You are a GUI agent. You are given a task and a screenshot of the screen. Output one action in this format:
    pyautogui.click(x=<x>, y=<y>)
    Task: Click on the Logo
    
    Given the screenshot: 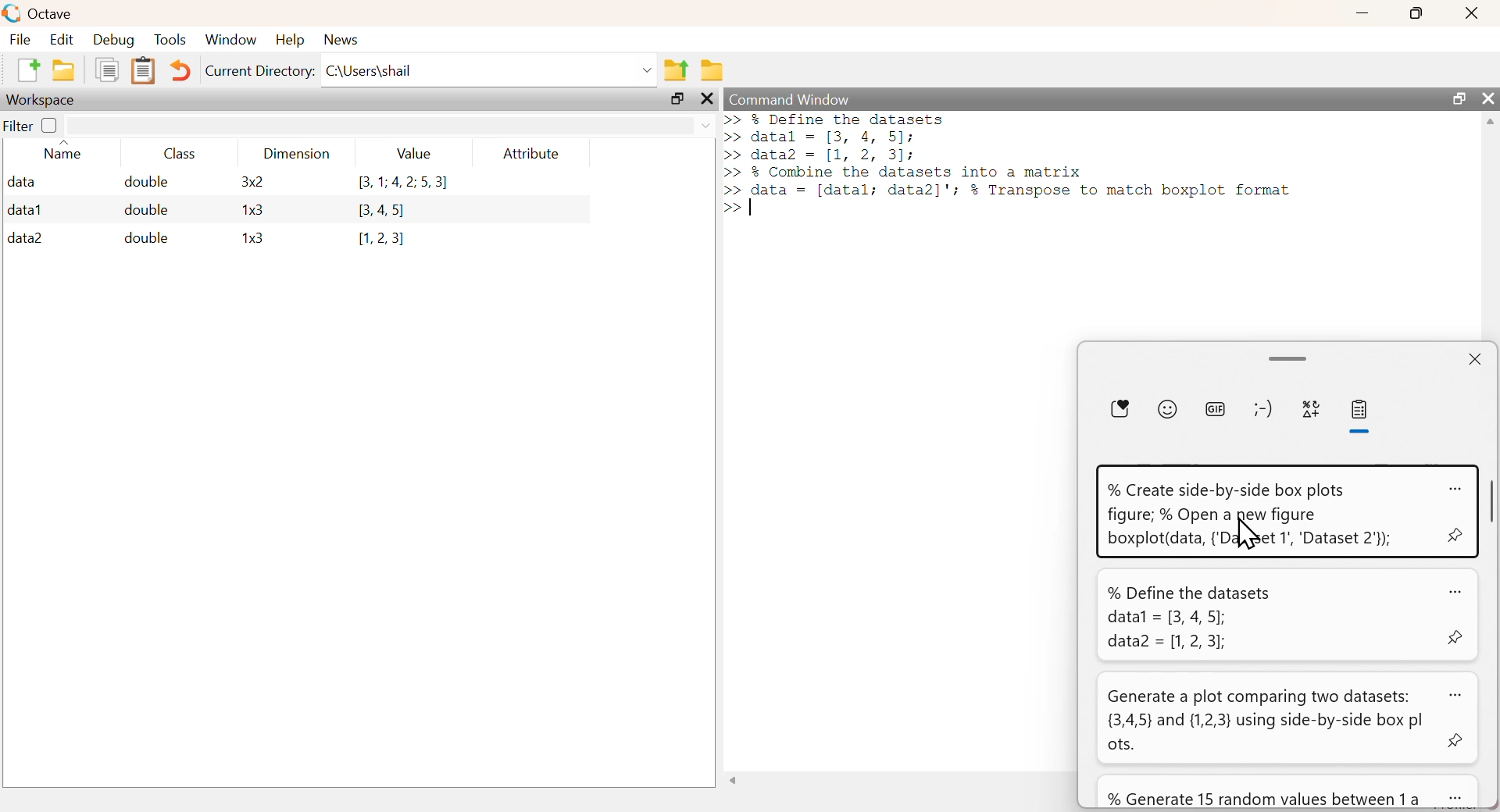 What is the action you would take?
    pyautogui.click(x=11, y=13)
    